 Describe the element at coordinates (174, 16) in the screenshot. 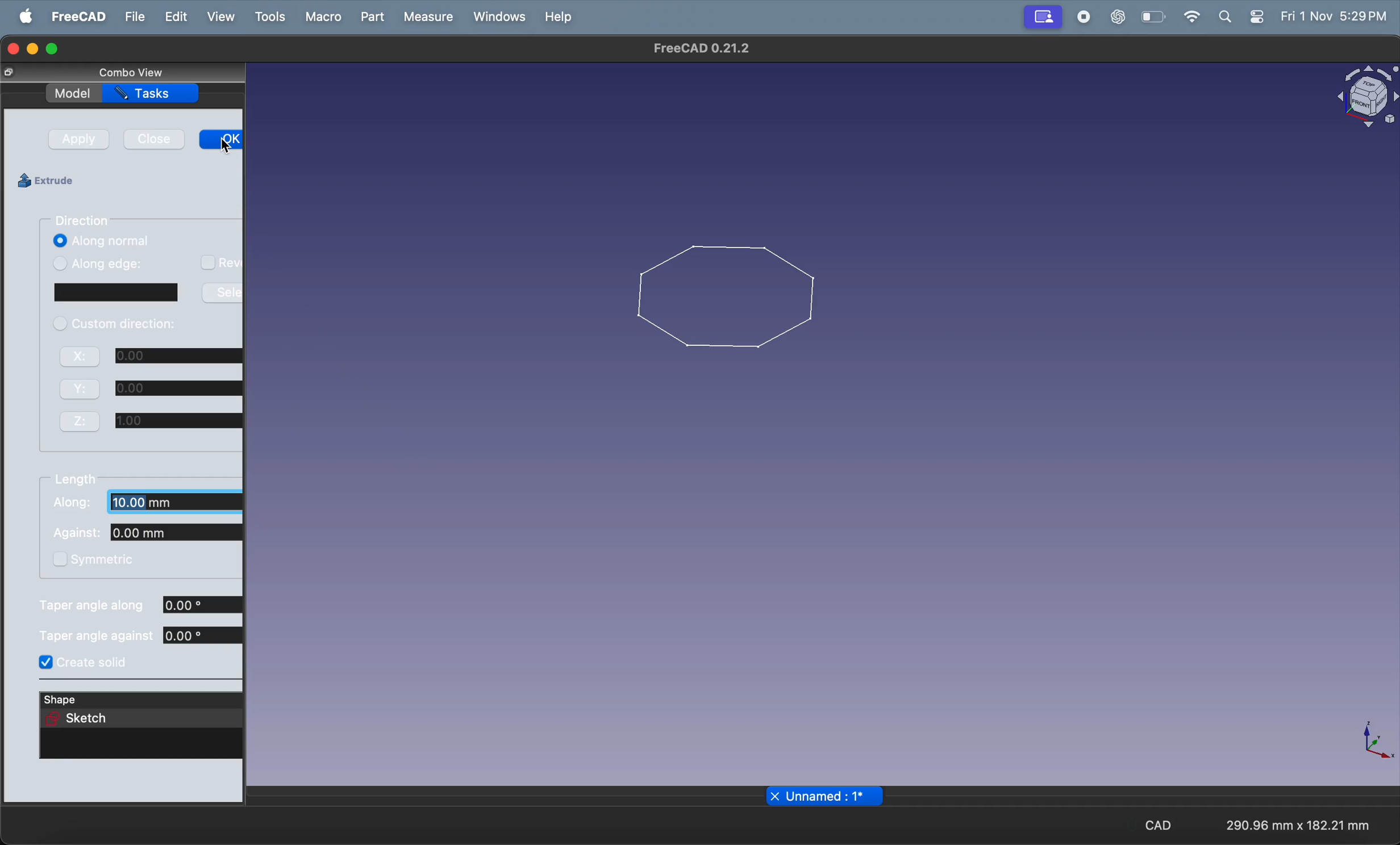

I see `edit` at that location.